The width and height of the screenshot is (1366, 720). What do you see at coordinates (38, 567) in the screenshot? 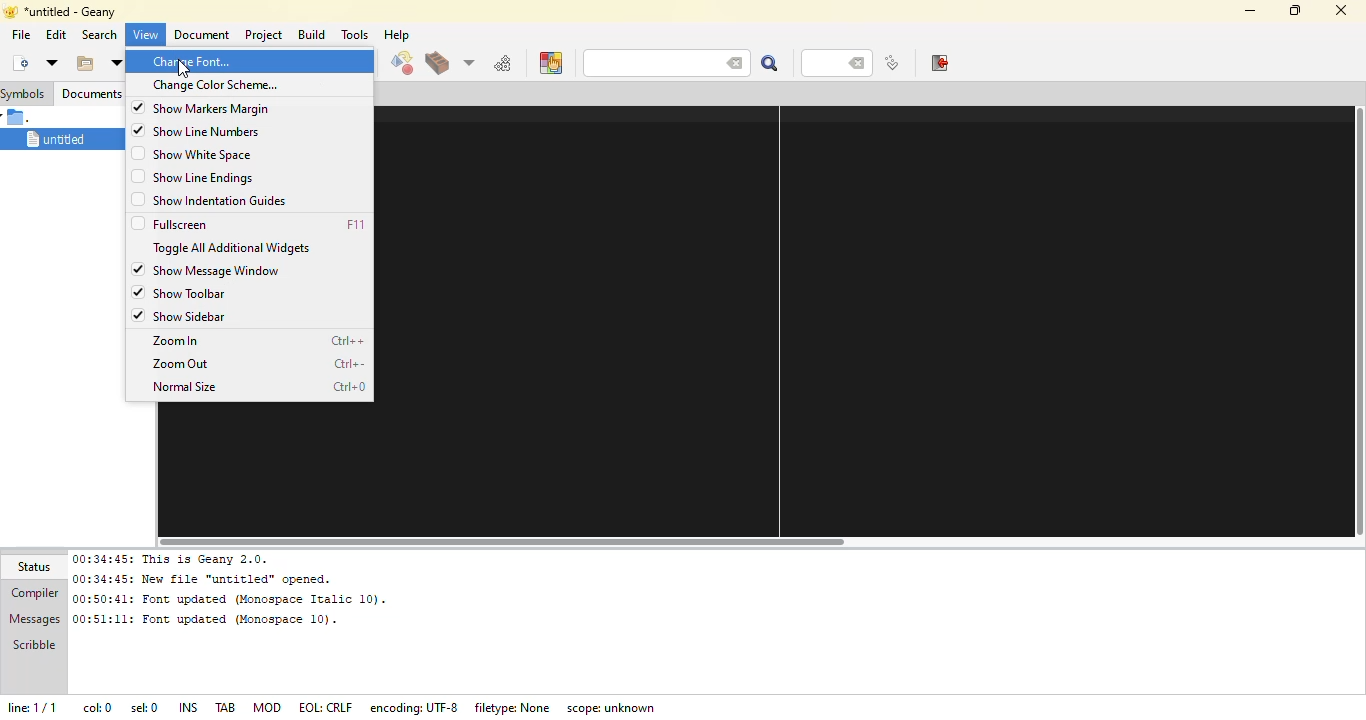
I see `status` at bounding box center [38, 567].